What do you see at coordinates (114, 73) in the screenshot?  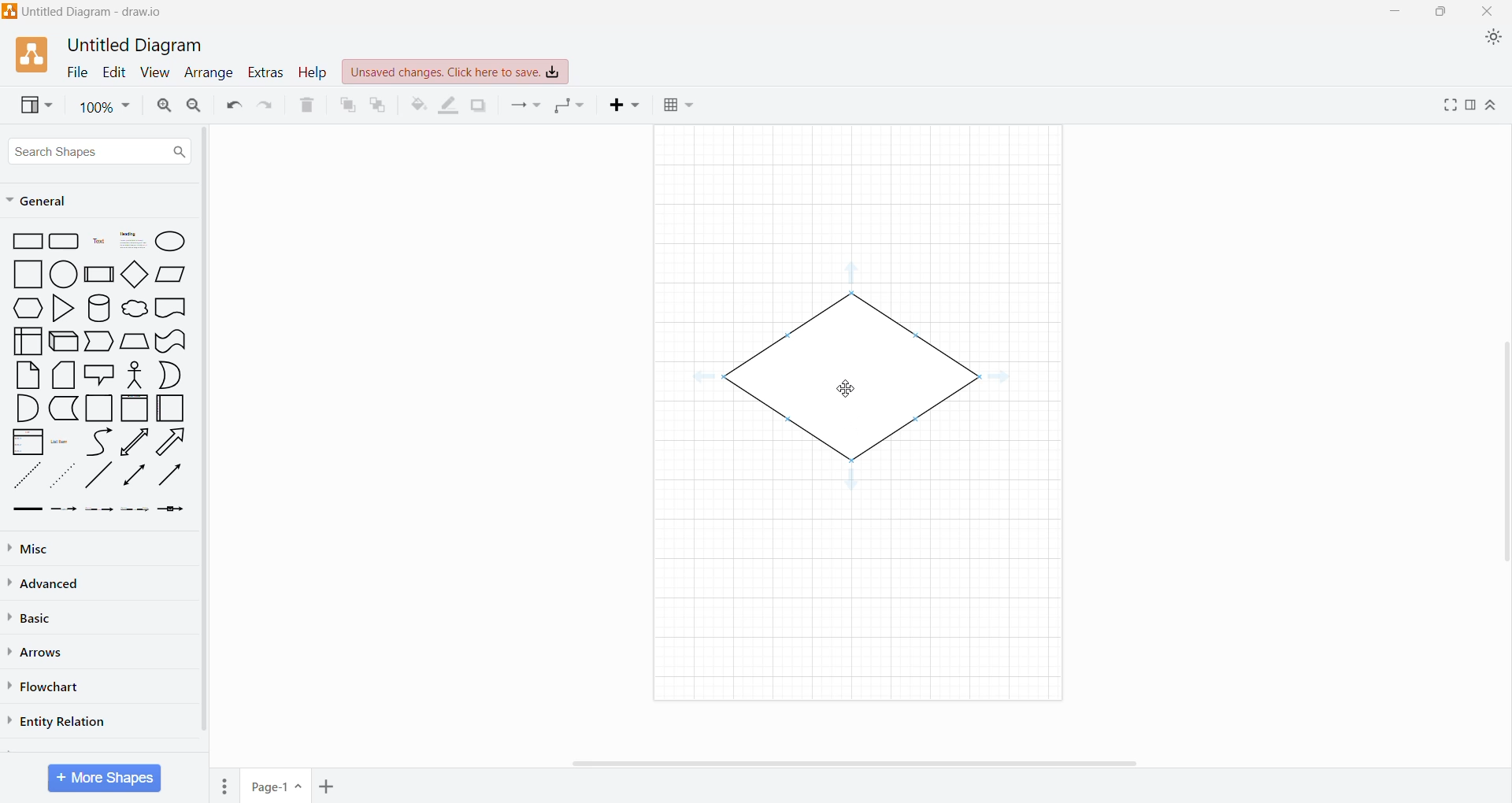 I see `Edit` at bounding box center [114, 73].